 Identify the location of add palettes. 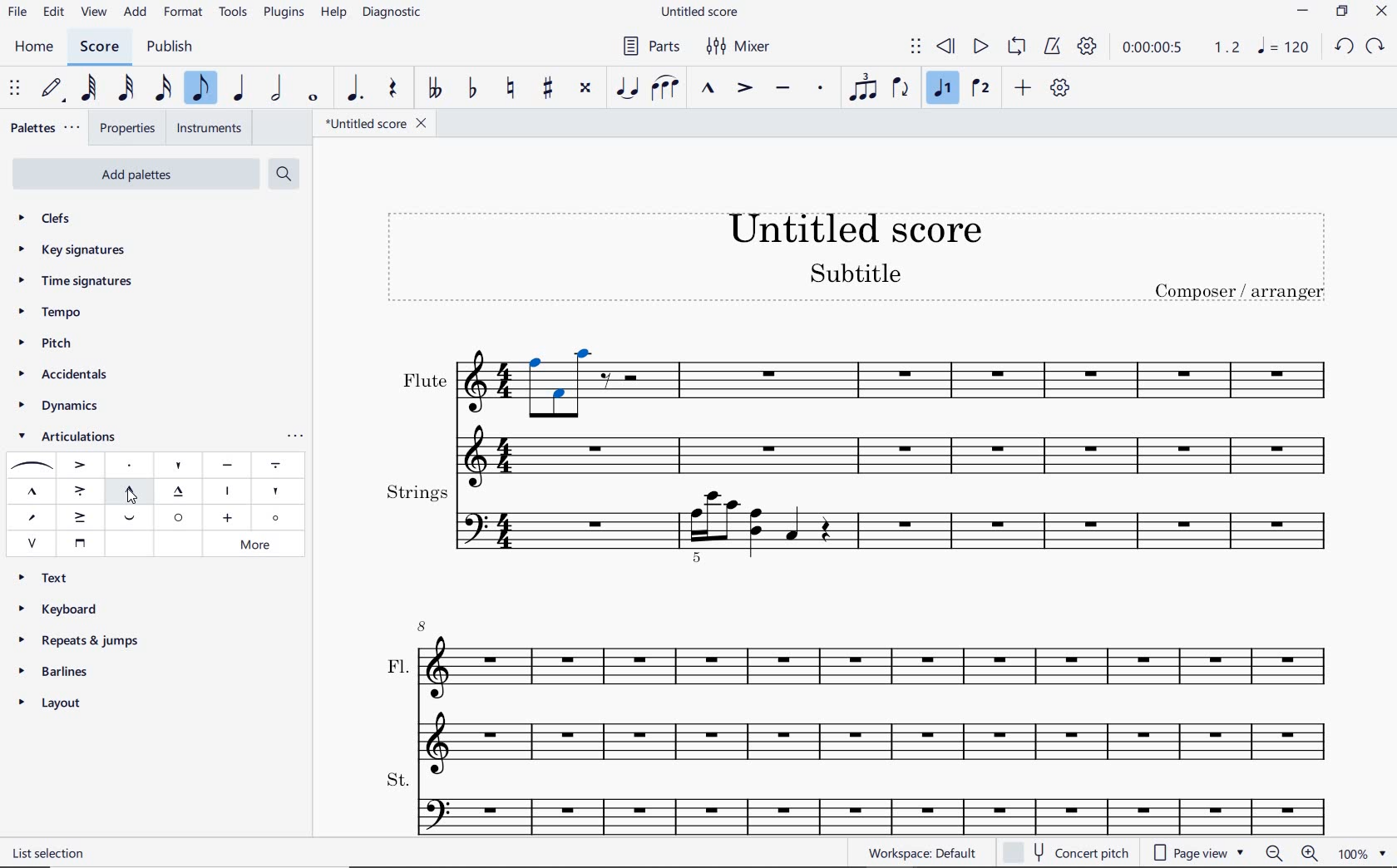
(142, 173).